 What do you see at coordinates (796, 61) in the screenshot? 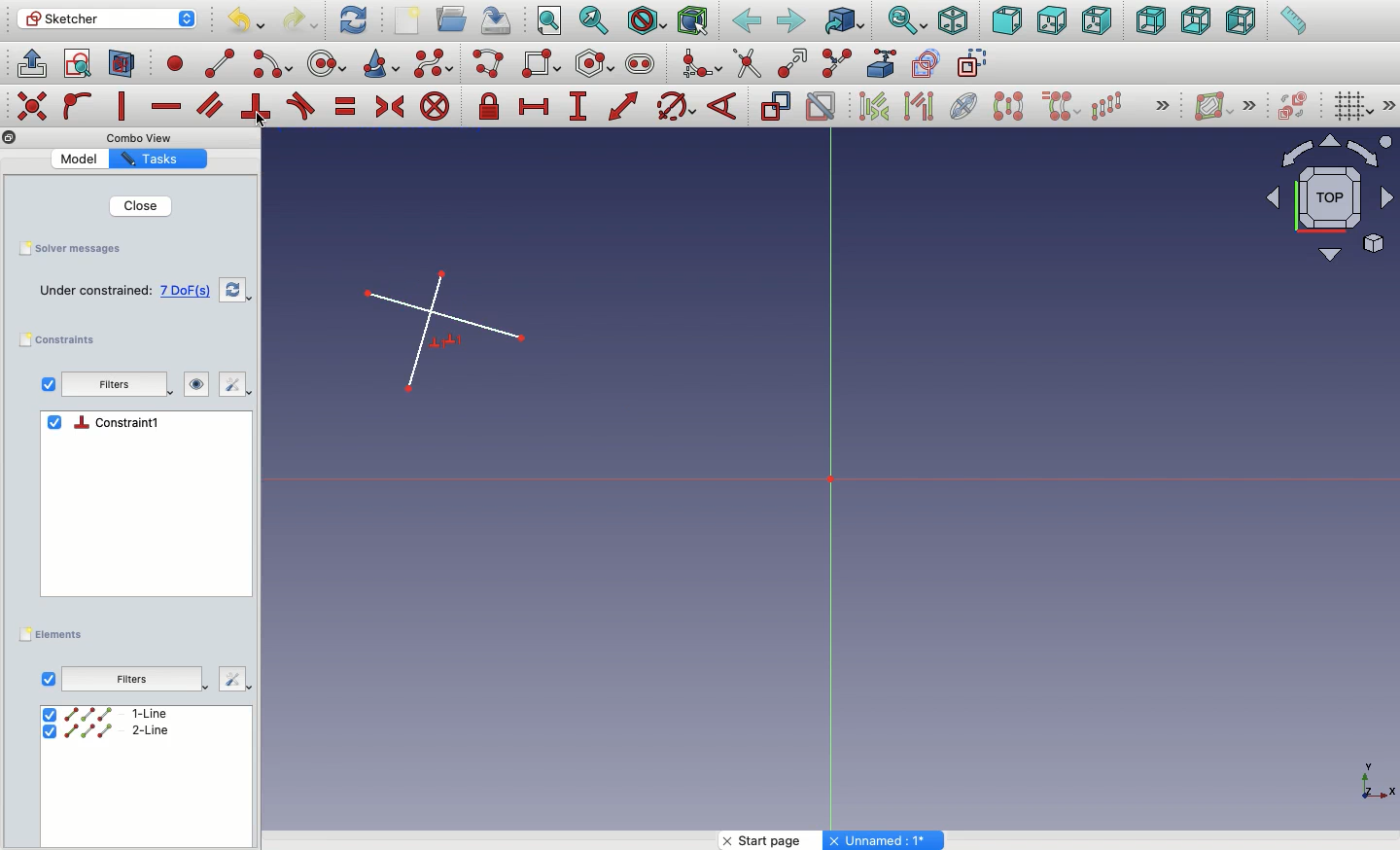
I see `Extend edge` at bounding box center [796, 61].